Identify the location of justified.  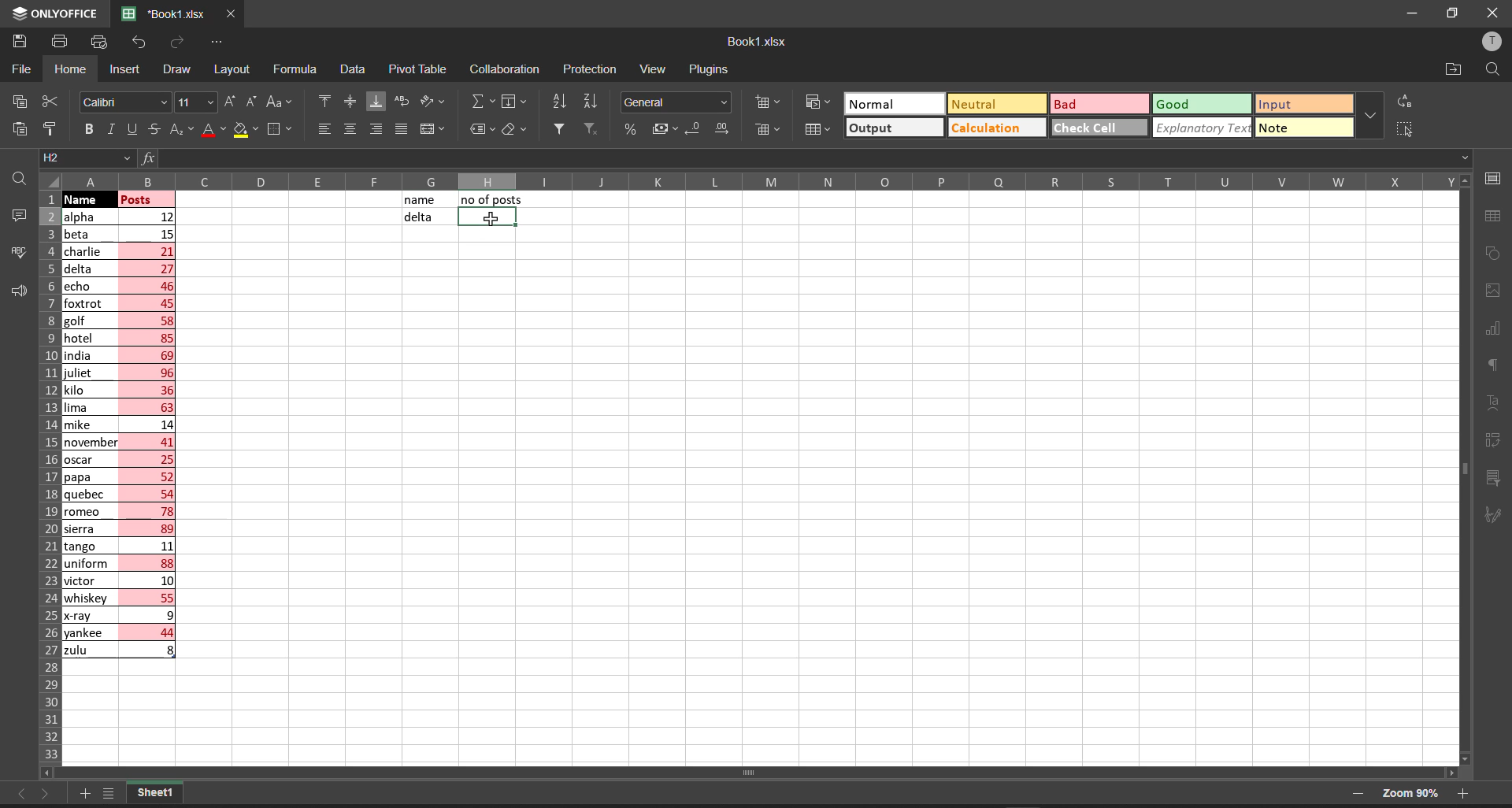
(400, 129).